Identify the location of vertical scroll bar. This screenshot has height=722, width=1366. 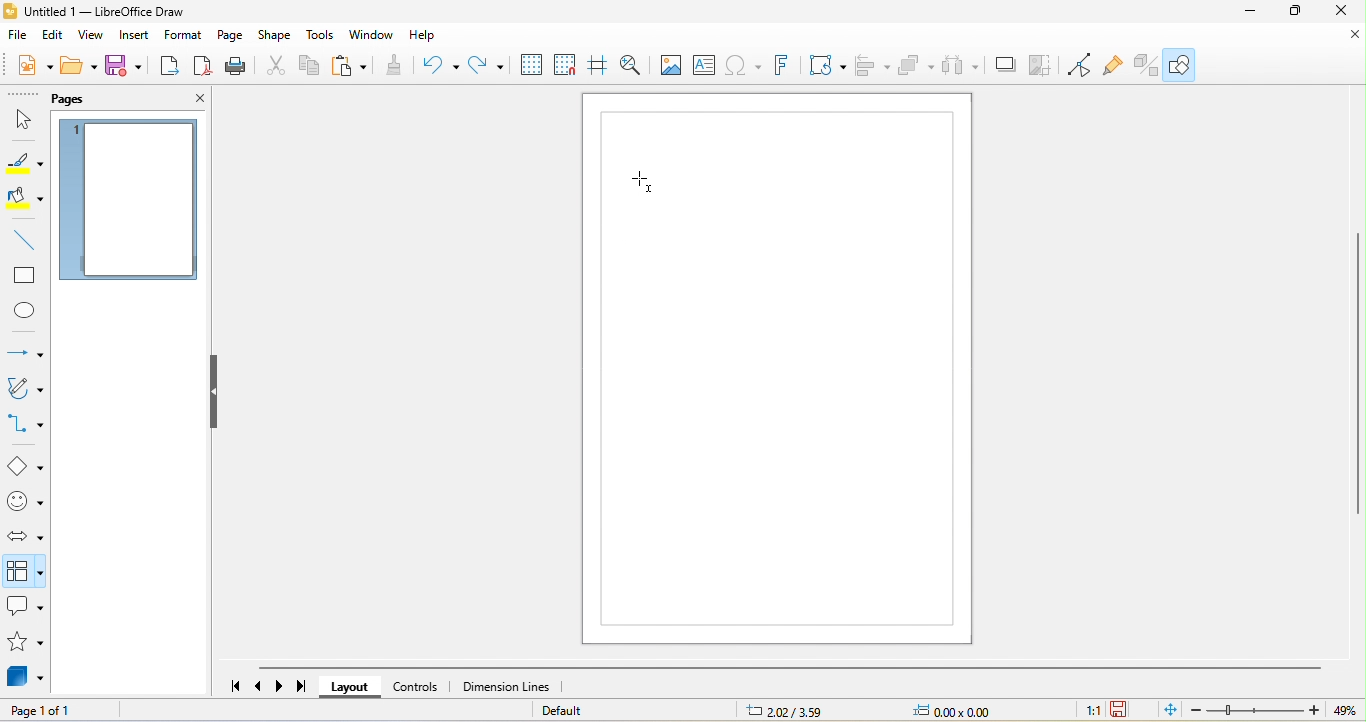
(1357, 373).